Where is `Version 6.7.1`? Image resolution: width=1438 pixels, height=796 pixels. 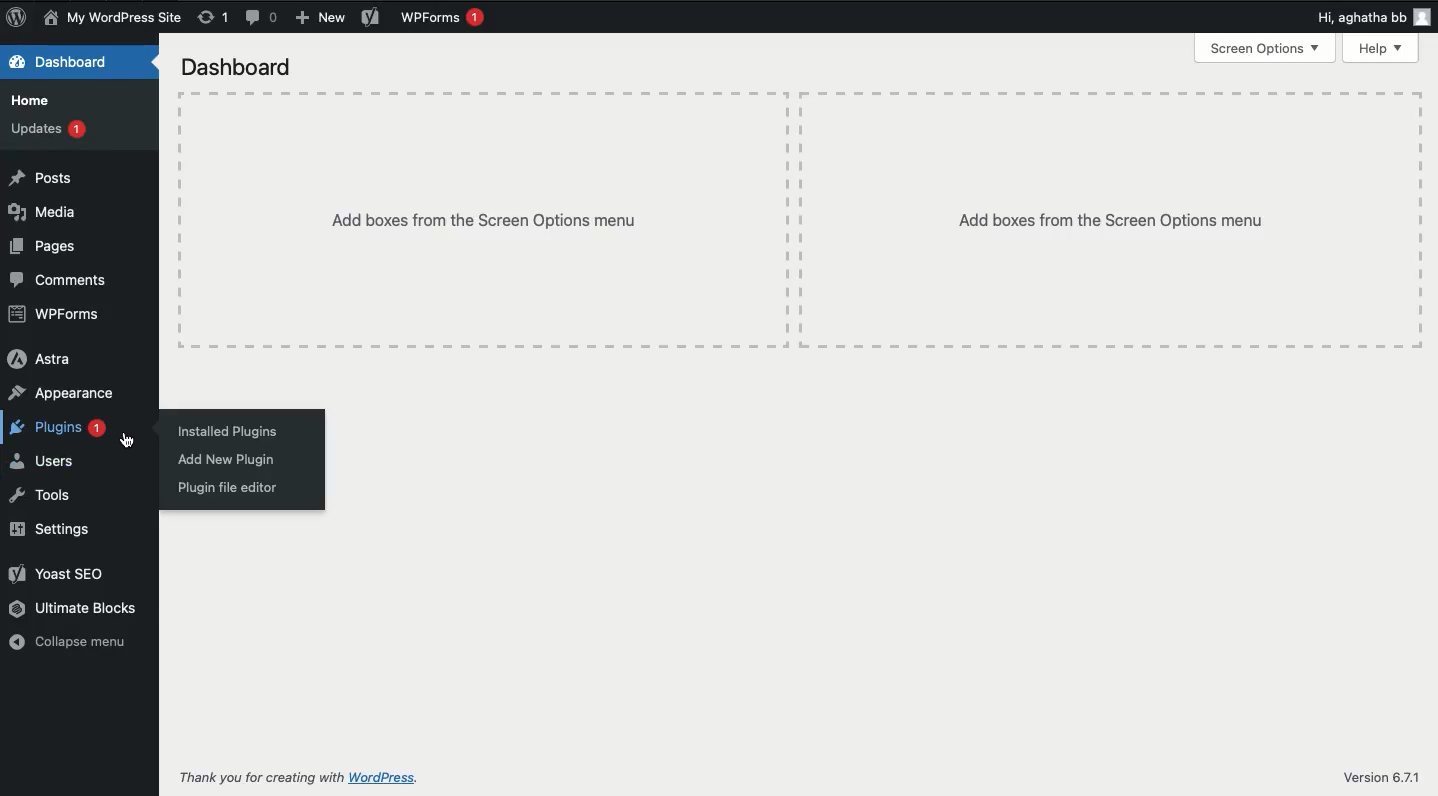
Version 6.7.1 is located at coordinates (1387, 779).